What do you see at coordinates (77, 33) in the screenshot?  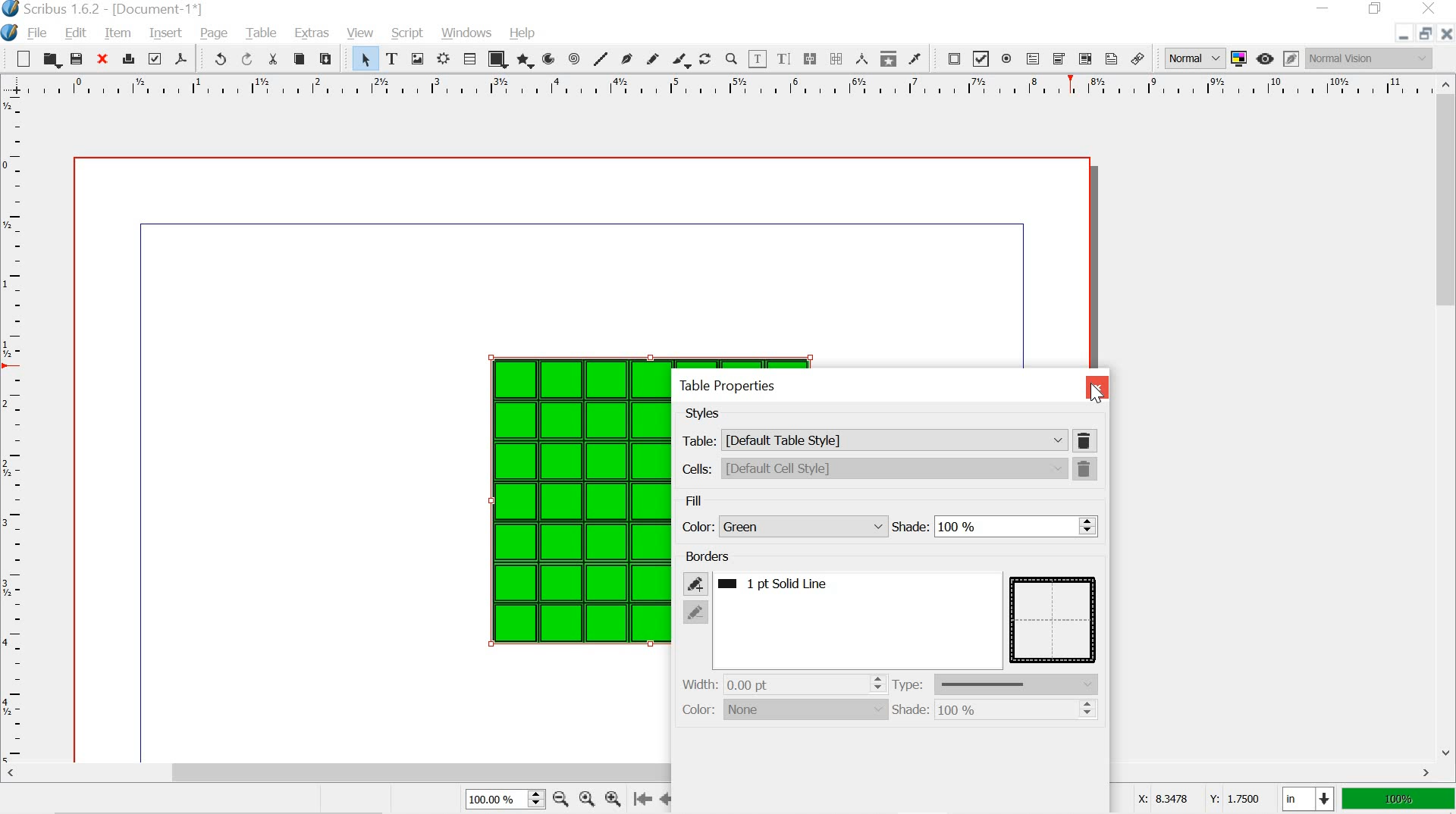 I see `edit` at bounding box center [77, 33].